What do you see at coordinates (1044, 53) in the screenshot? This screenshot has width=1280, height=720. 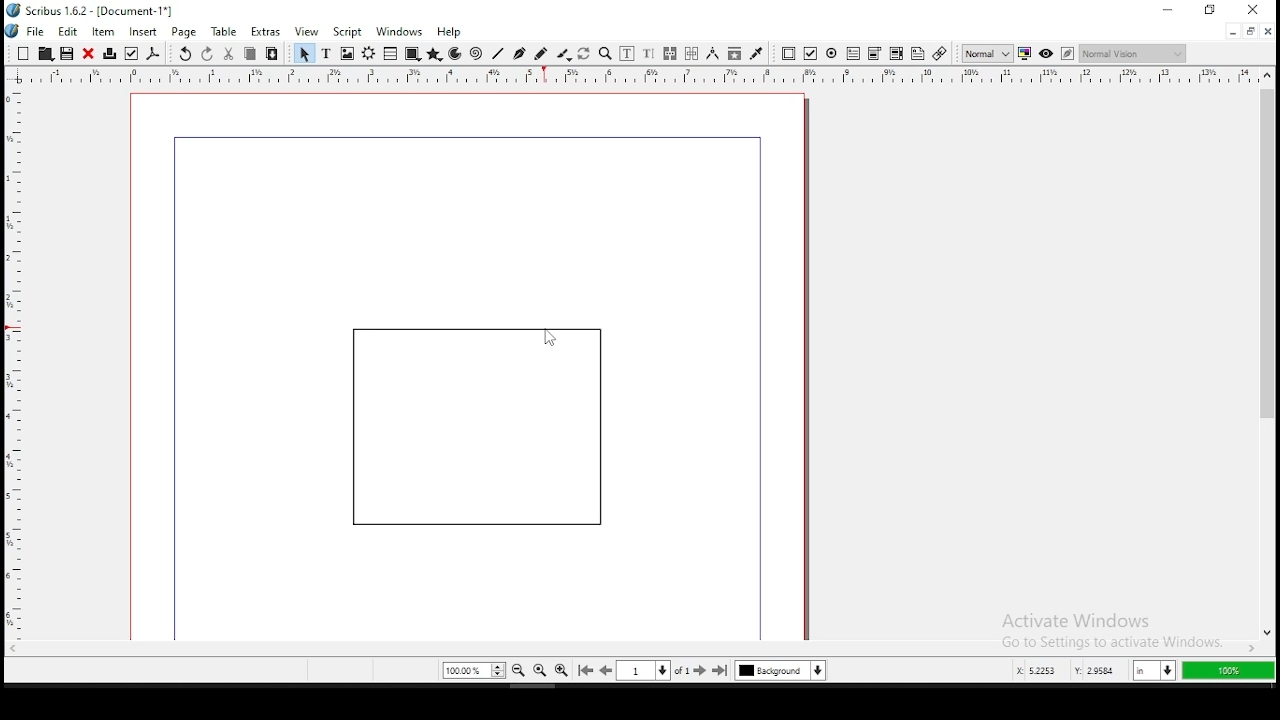 I see `preview mode` at bounding box center [1044, 53].